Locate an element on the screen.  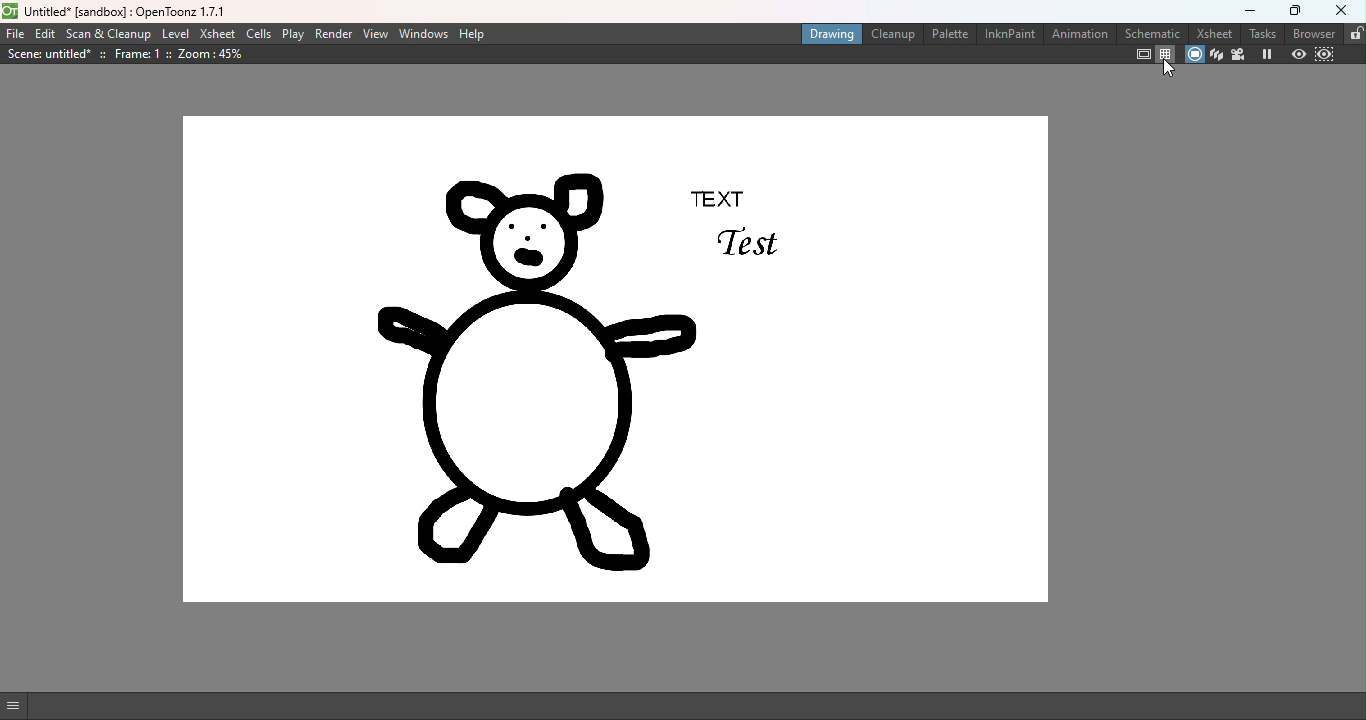
Tasks is located at coordinates (1262, 33).